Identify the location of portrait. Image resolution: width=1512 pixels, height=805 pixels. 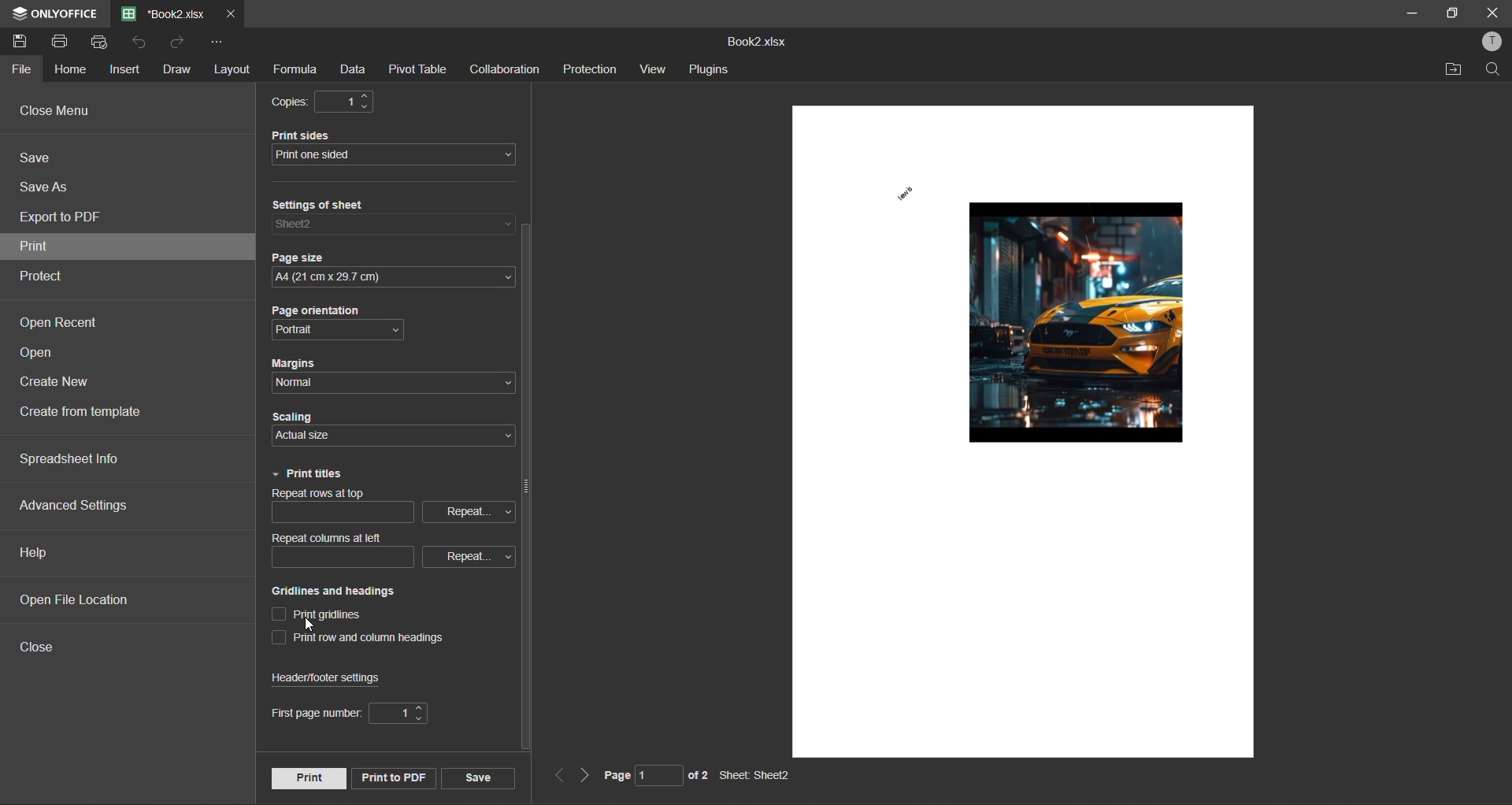
(306, 331).